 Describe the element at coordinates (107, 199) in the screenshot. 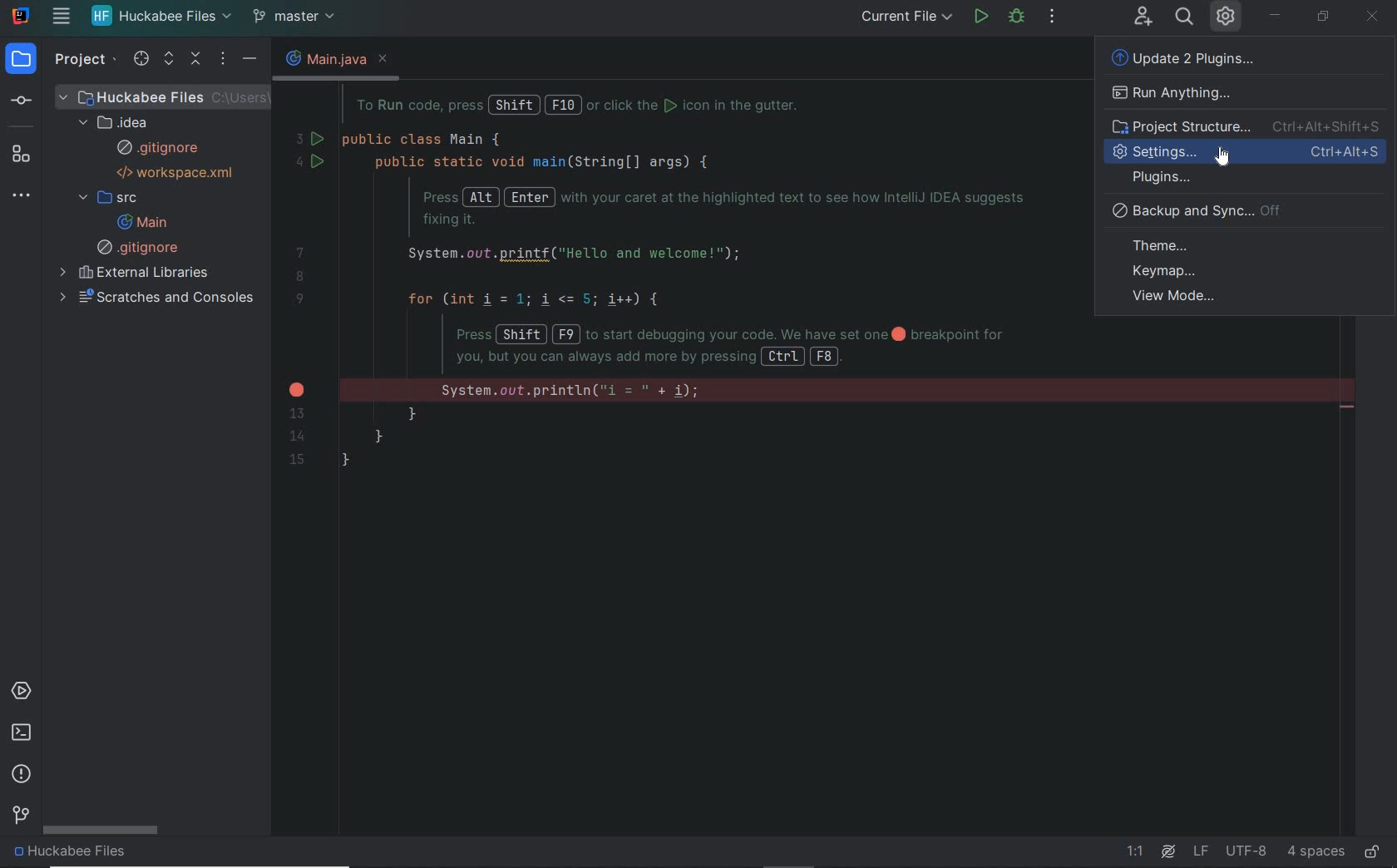

I see `src` at that location.